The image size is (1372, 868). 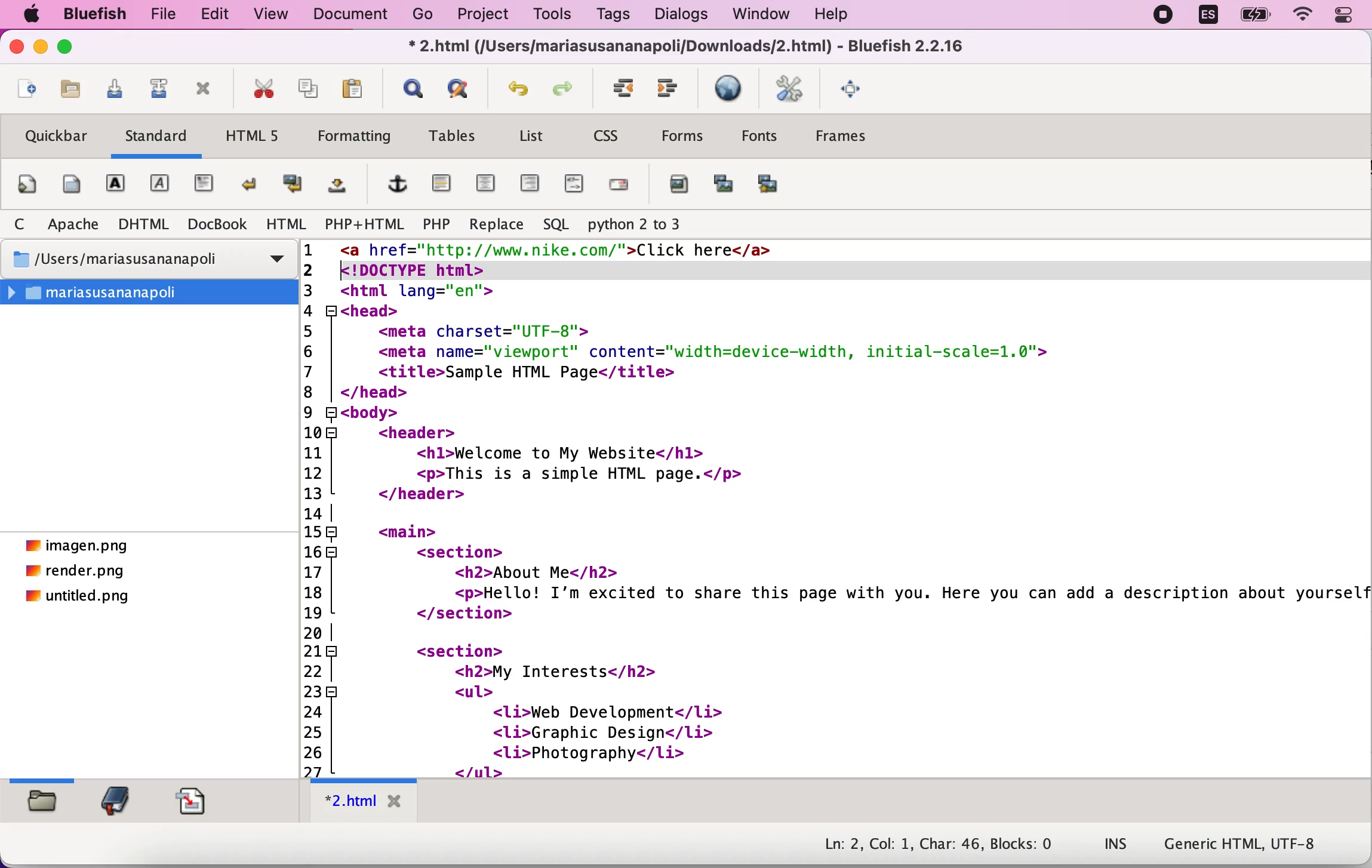 I want to click on imagen.png, so click(x=77, y=546).